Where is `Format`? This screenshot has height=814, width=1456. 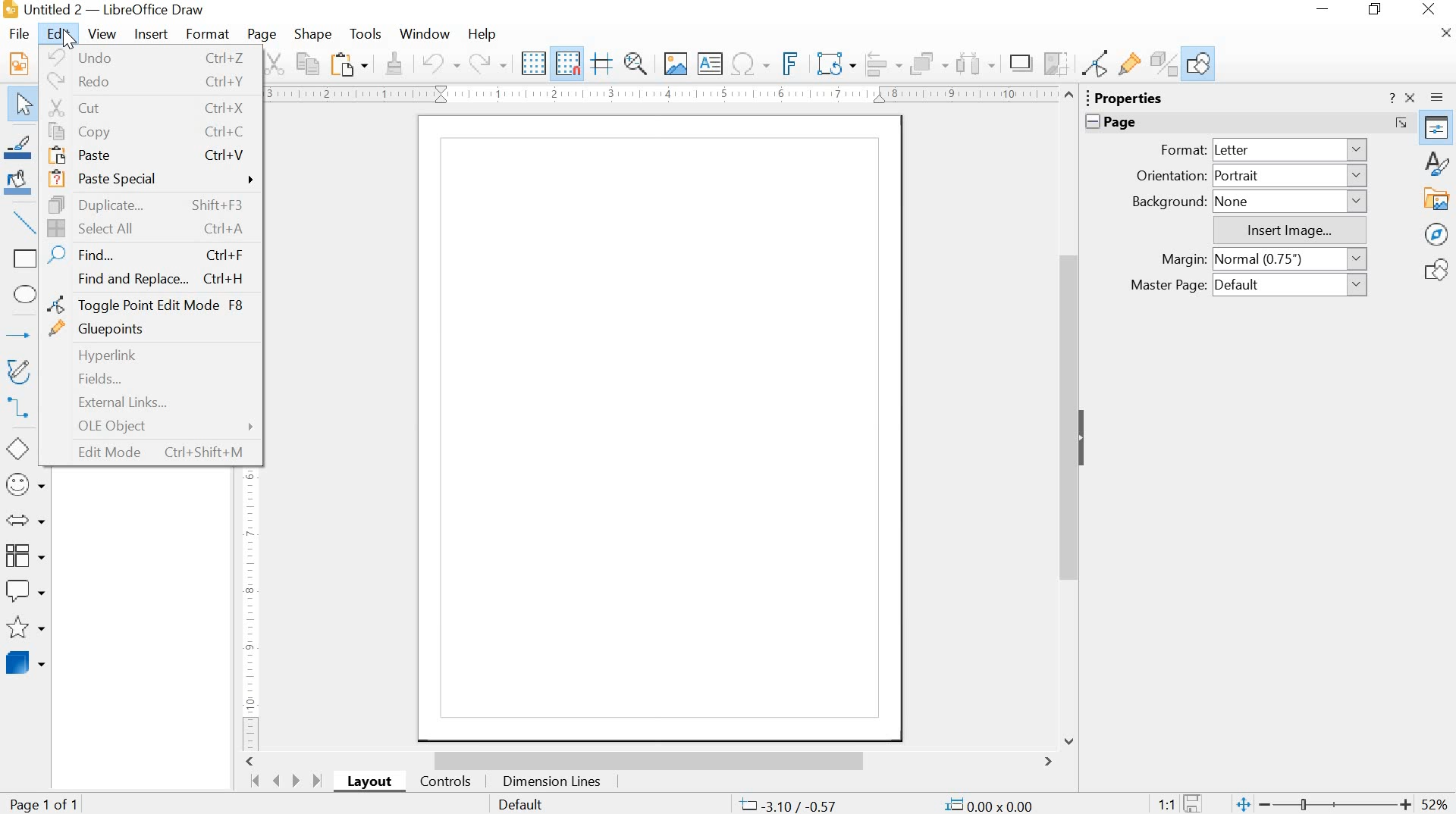
Format is located at coordinates (1182, 150).